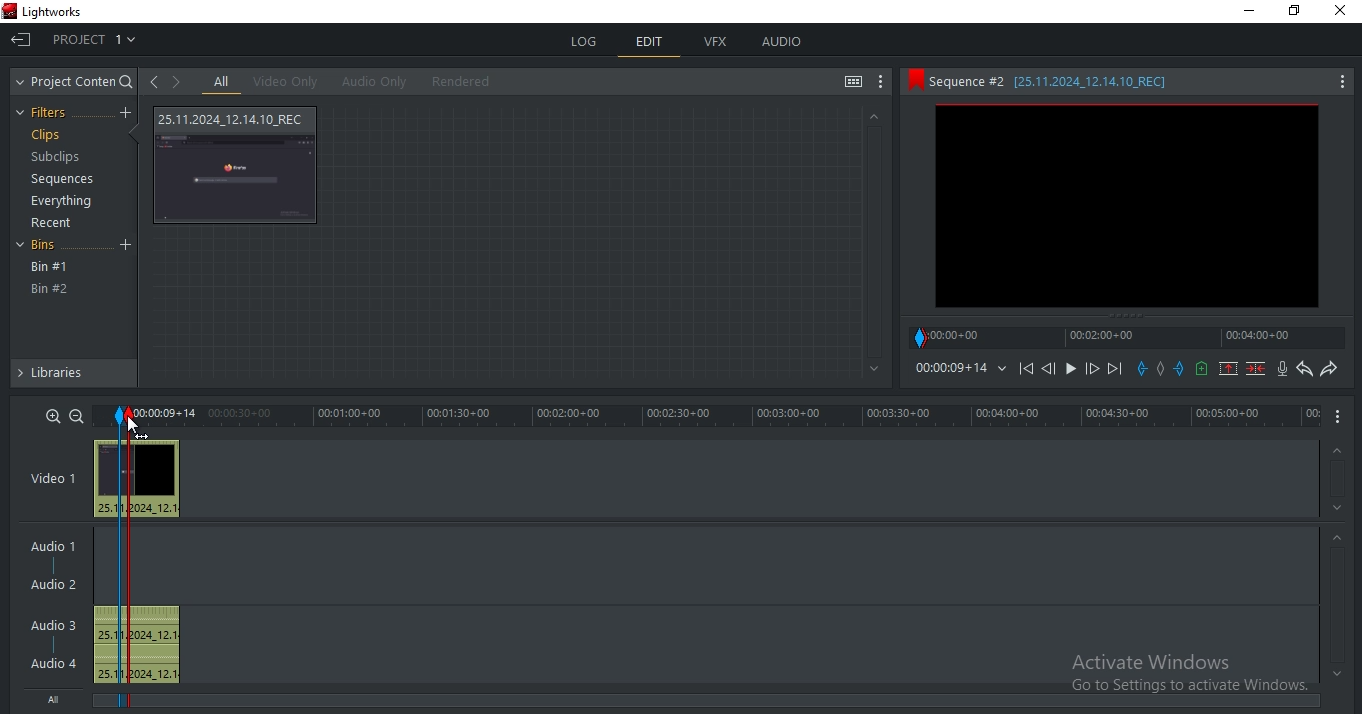 The height and width of the screenshot is (714, 1362). I want to click on show settings menu, so click(882, 84).